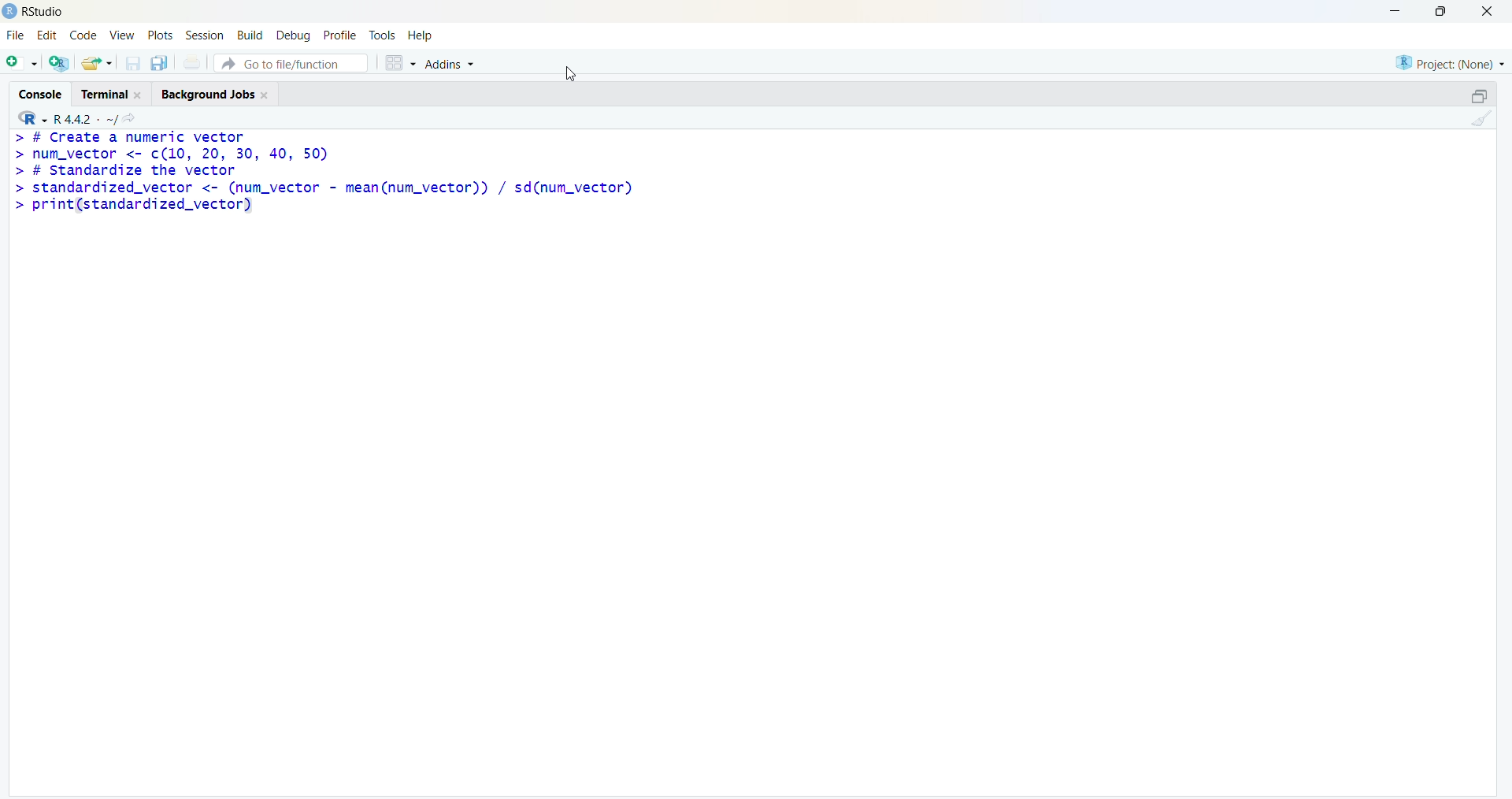  Describe the element at coordinates (1481, 95) in the screenshot. I see `open in separate window` at that location.